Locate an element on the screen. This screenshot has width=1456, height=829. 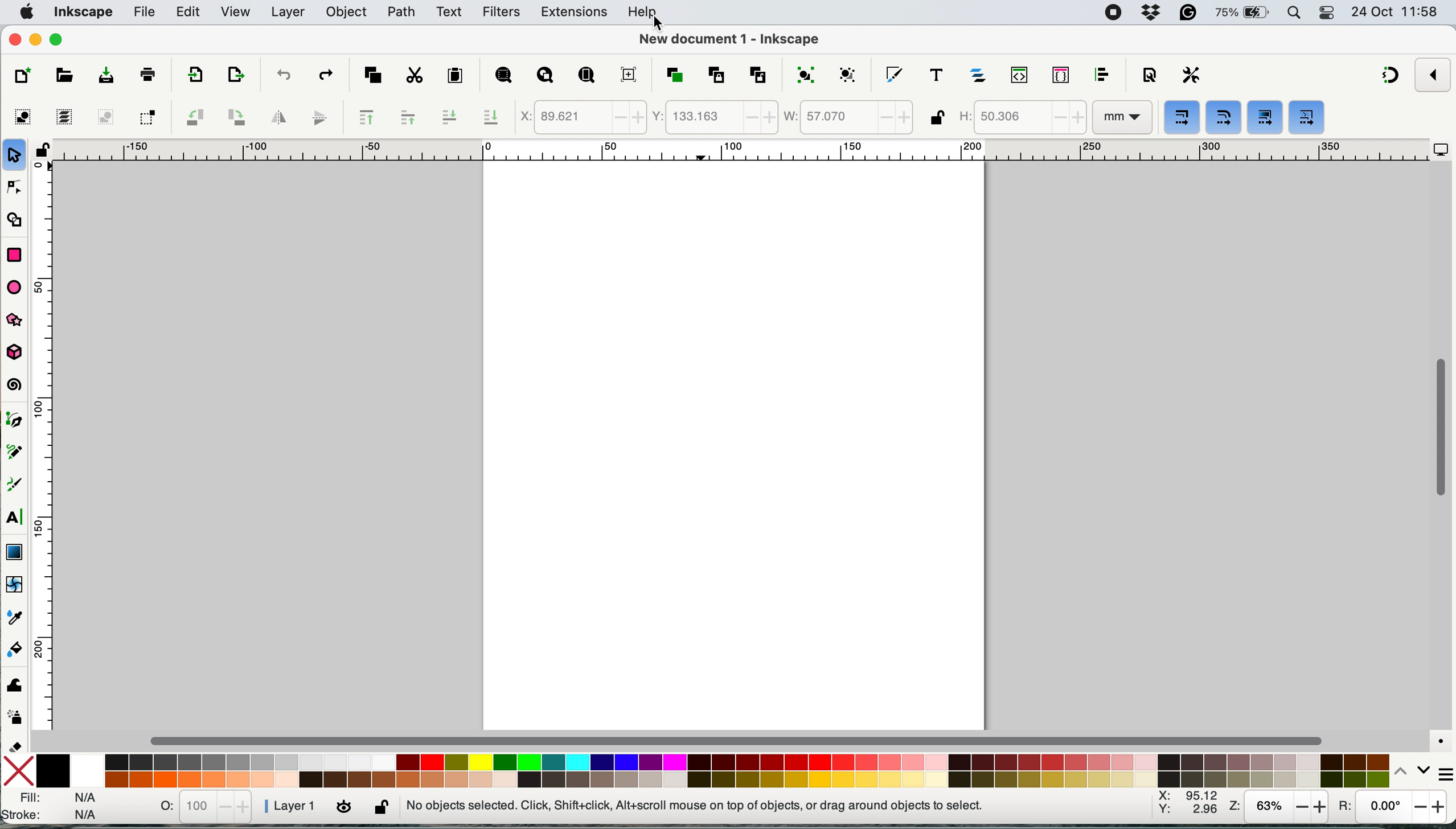
spotlight search is located at coordinates (1297, 13).